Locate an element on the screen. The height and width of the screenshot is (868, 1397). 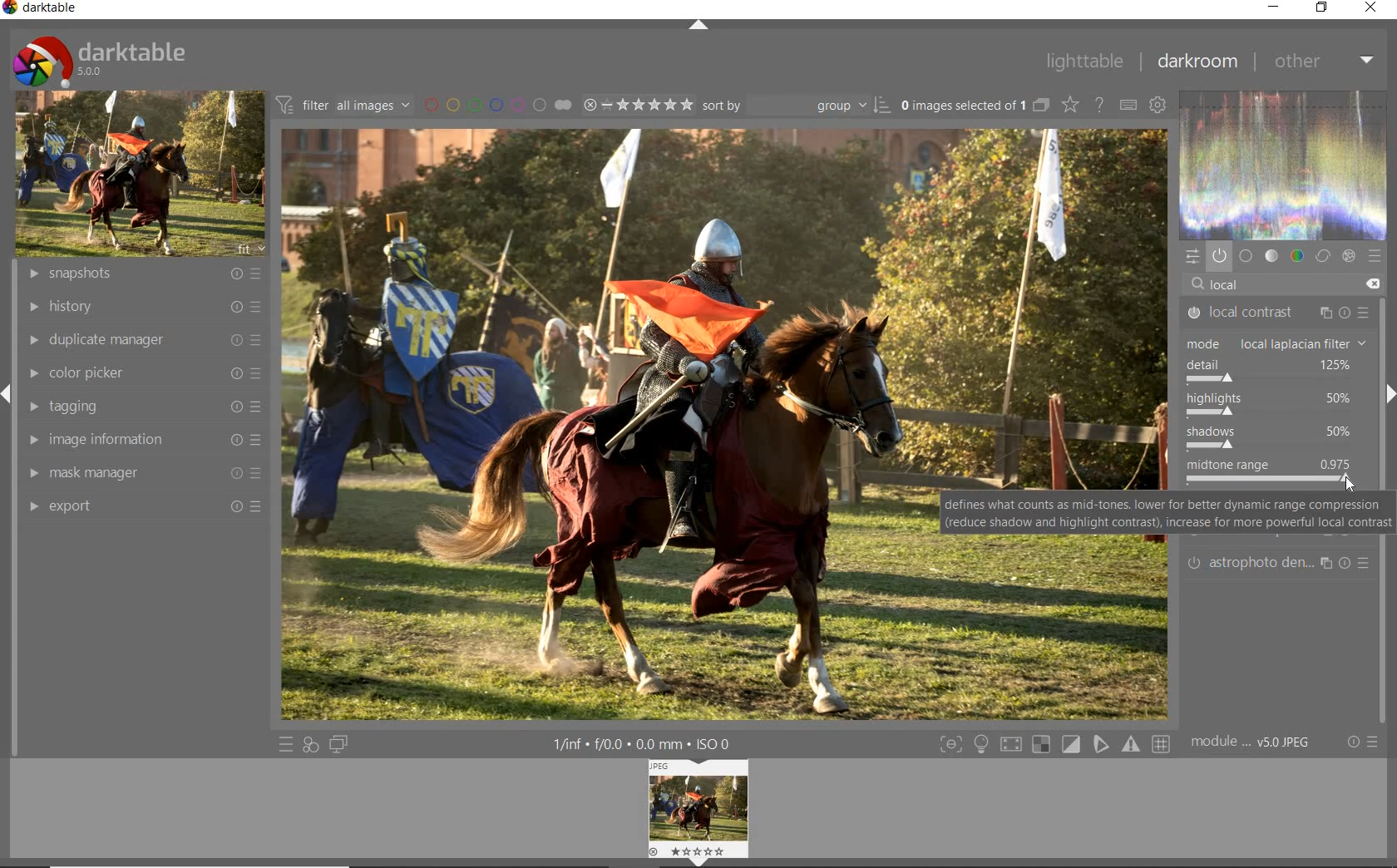
minimize is located at coordinates (1276, 8).